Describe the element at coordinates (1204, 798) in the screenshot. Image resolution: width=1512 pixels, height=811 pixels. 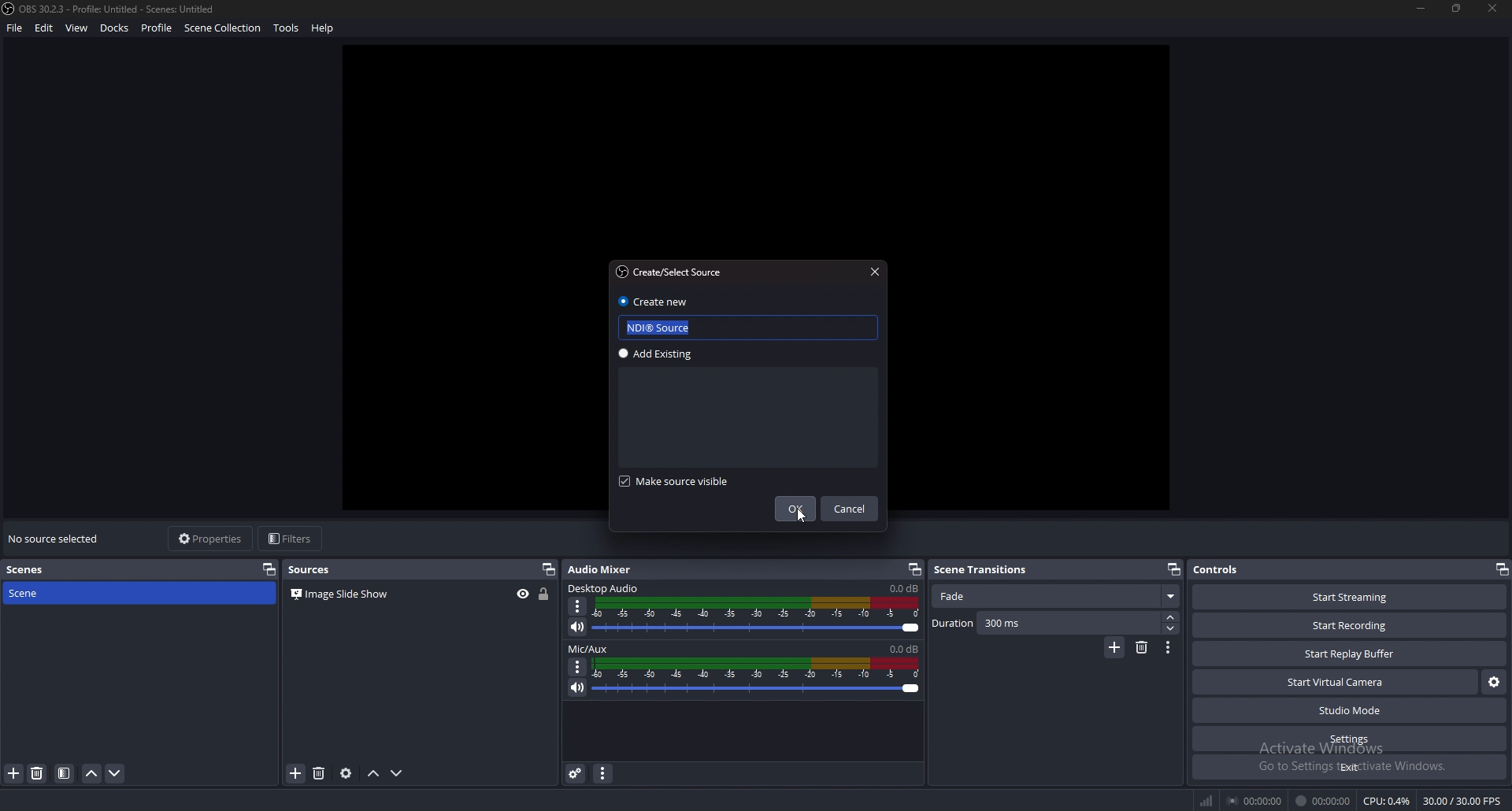
I see `Signal` at that location.